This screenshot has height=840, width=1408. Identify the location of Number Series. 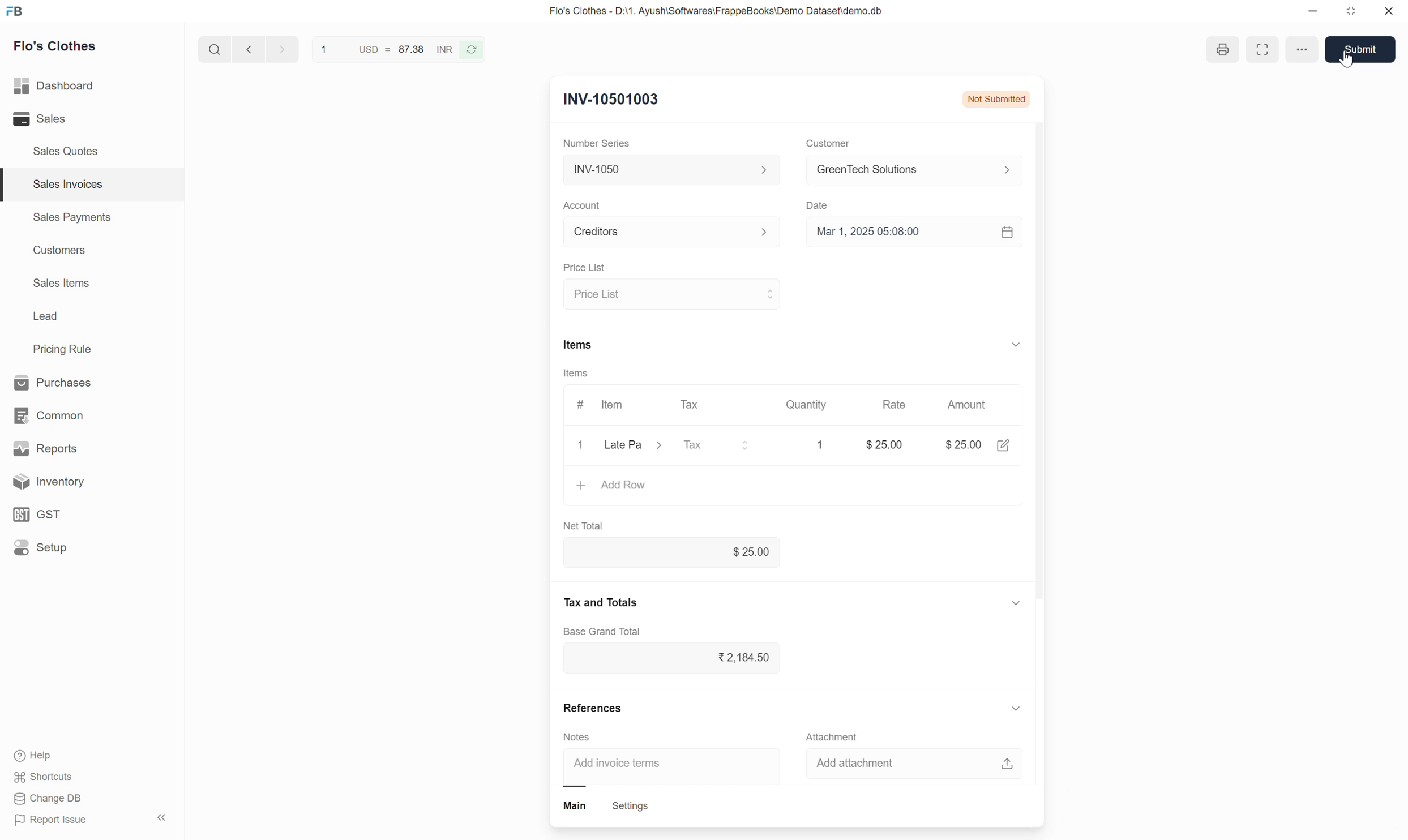
(598, 144).